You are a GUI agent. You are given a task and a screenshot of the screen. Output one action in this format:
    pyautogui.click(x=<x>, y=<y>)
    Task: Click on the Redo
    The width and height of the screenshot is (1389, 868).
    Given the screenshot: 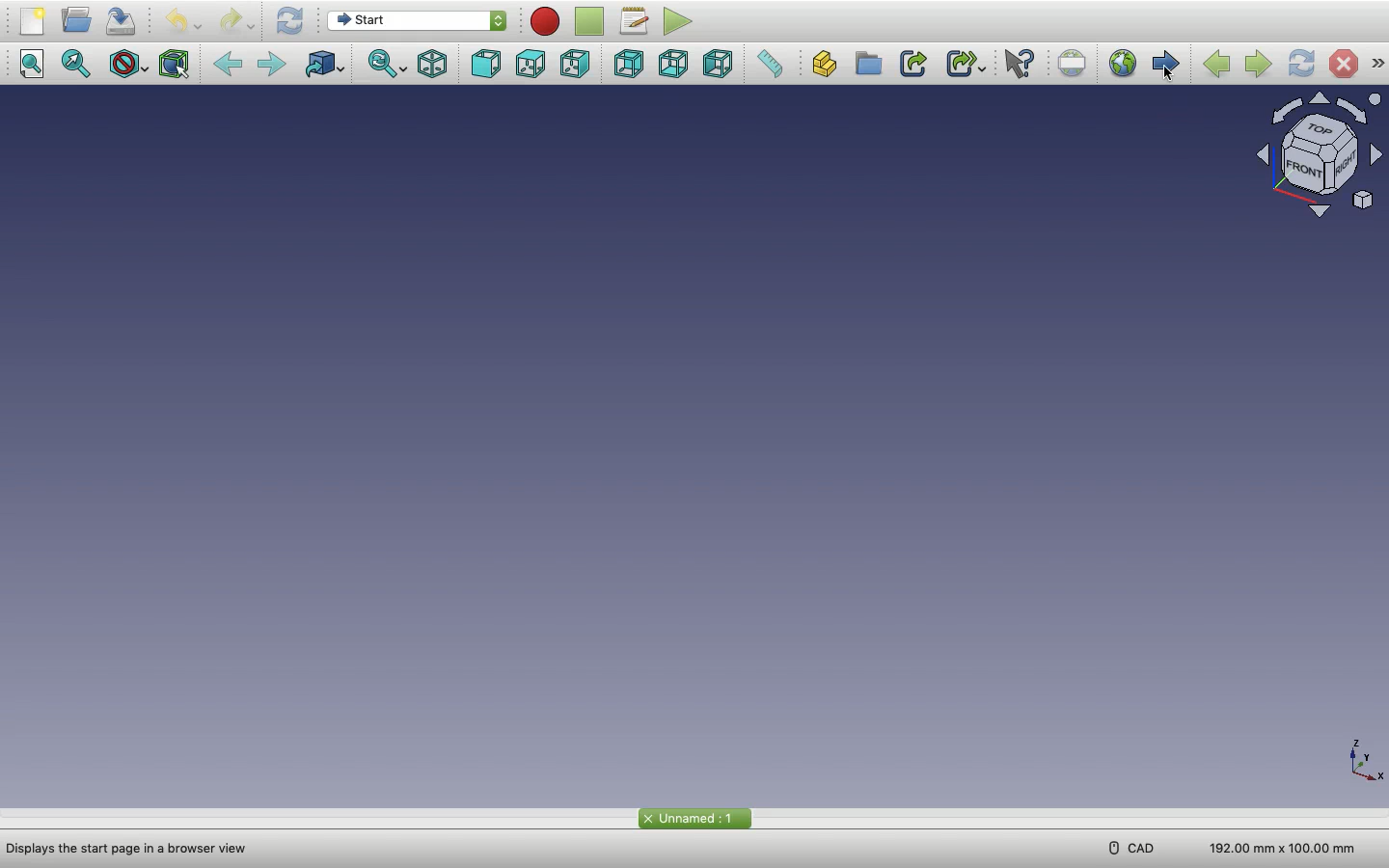 What is the action you would take?
    pyautogui.click(x=237, y=21)
    